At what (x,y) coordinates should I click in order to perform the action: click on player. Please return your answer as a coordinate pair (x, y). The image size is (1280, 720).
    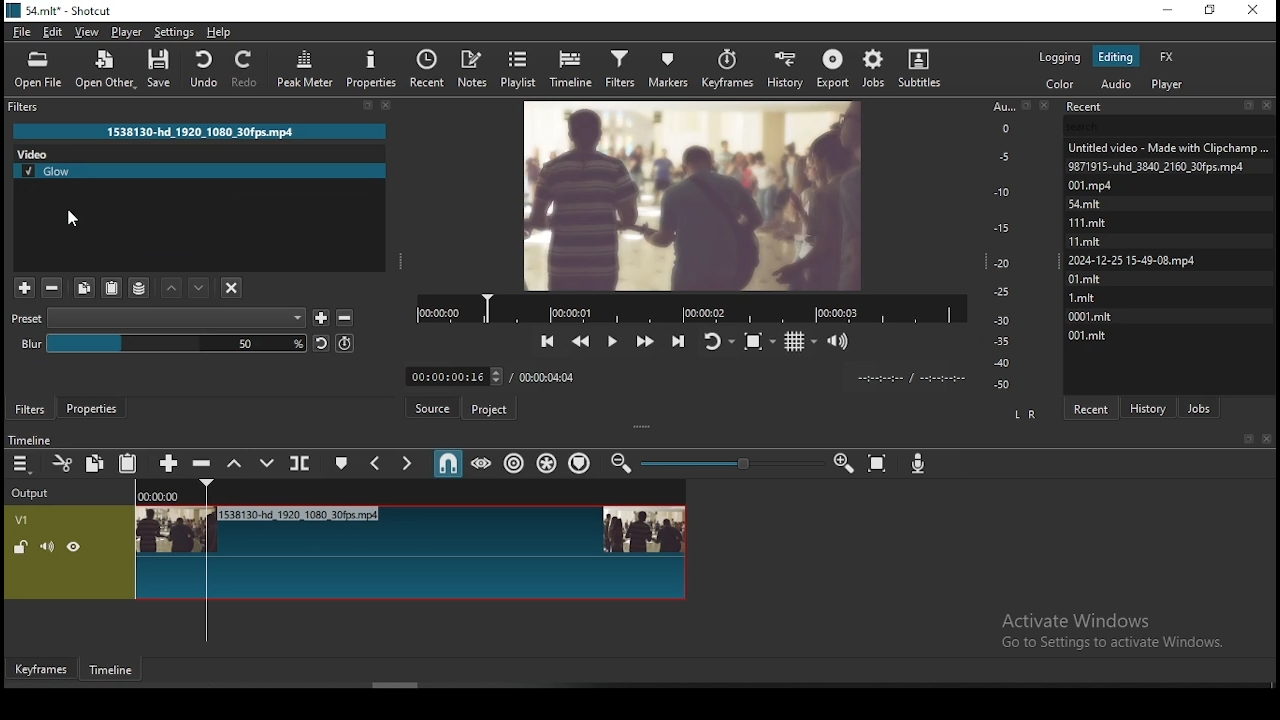
    Looking at the image, I should click on (128, 32).